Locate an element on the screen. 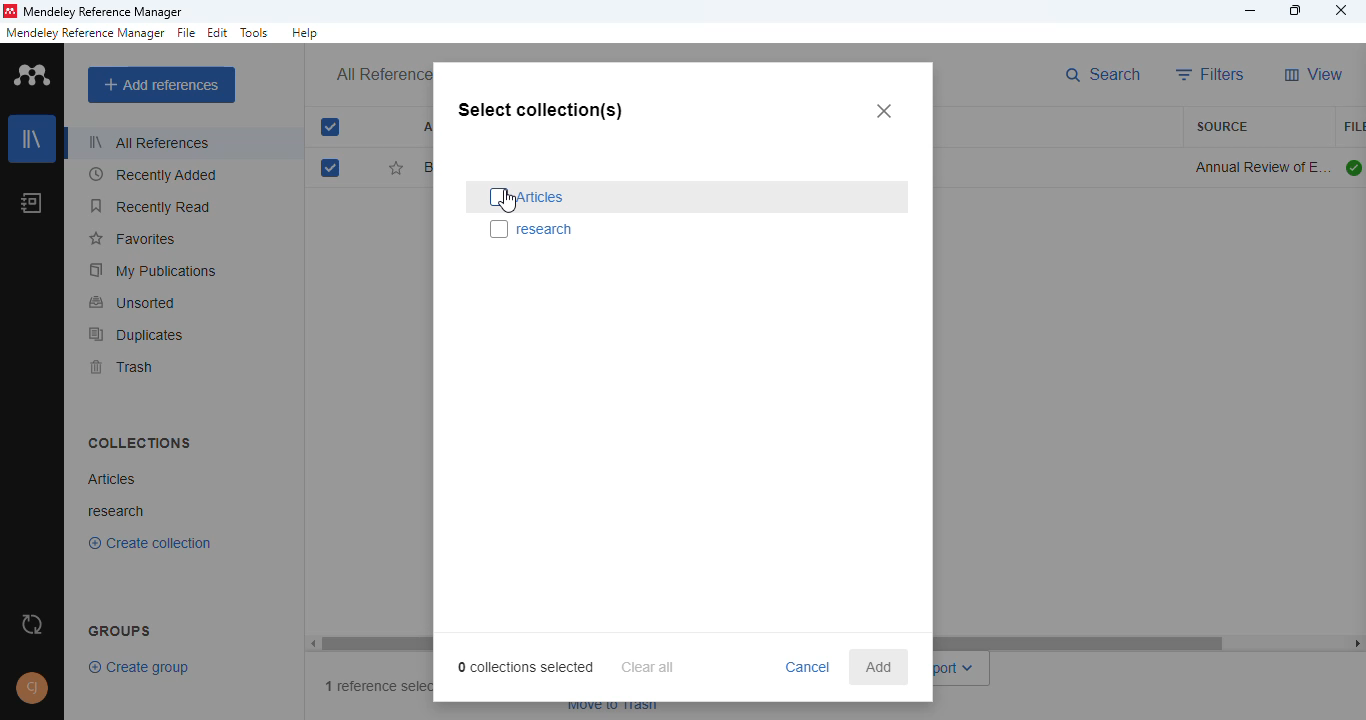  research is located at coordinates (546, 229).